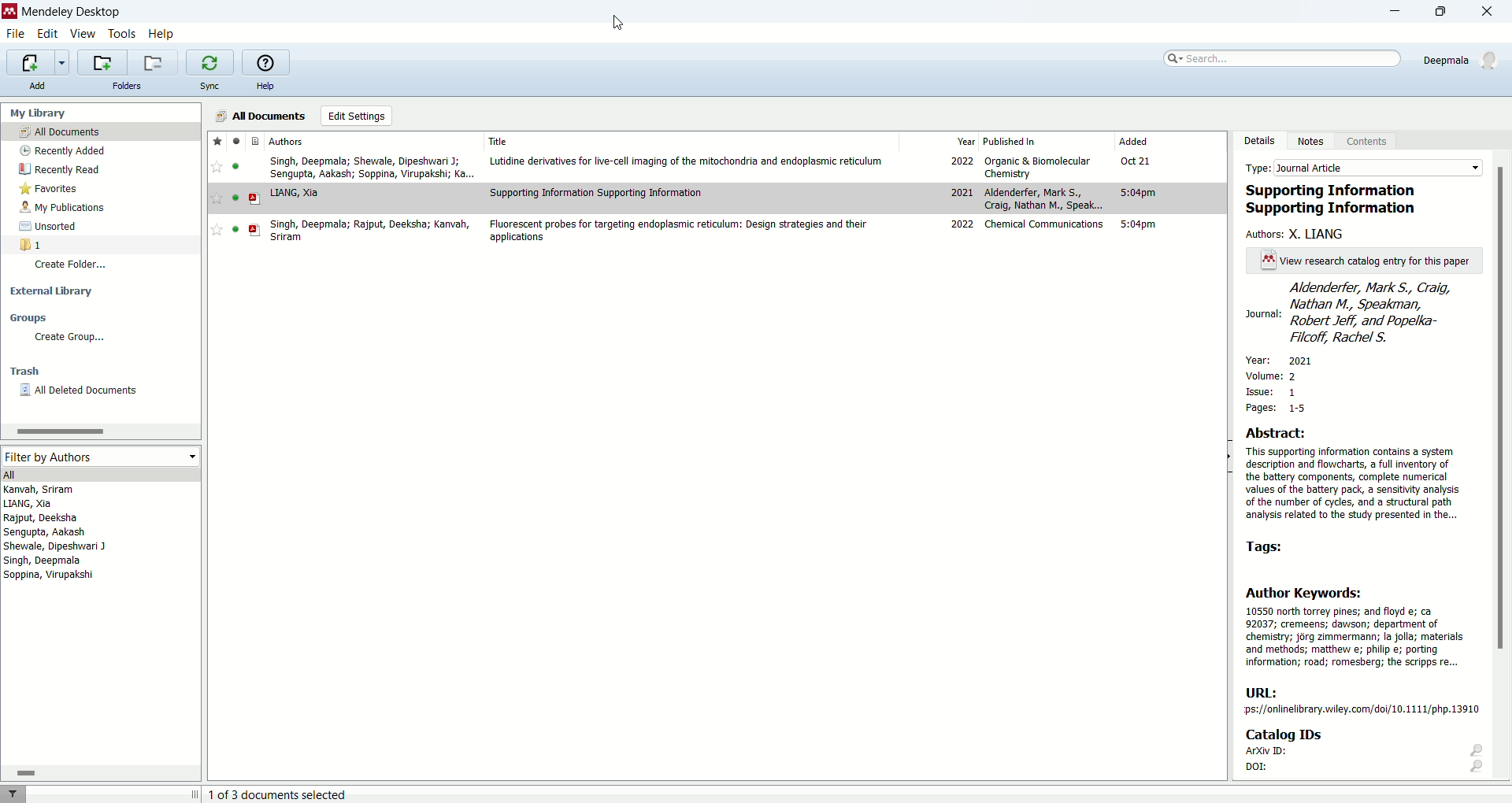 The image size is (1512, 803). Describe the element at coordinates (195, 794) in the screenshot. I see `toggle expand/contract` at that location.